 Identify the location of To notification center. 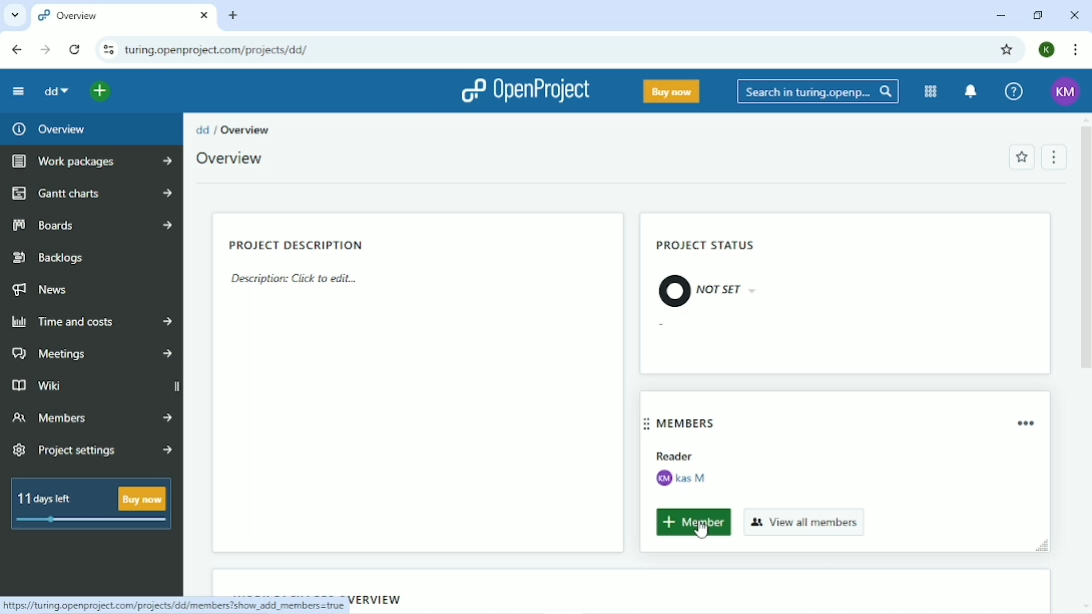
(969, 92).